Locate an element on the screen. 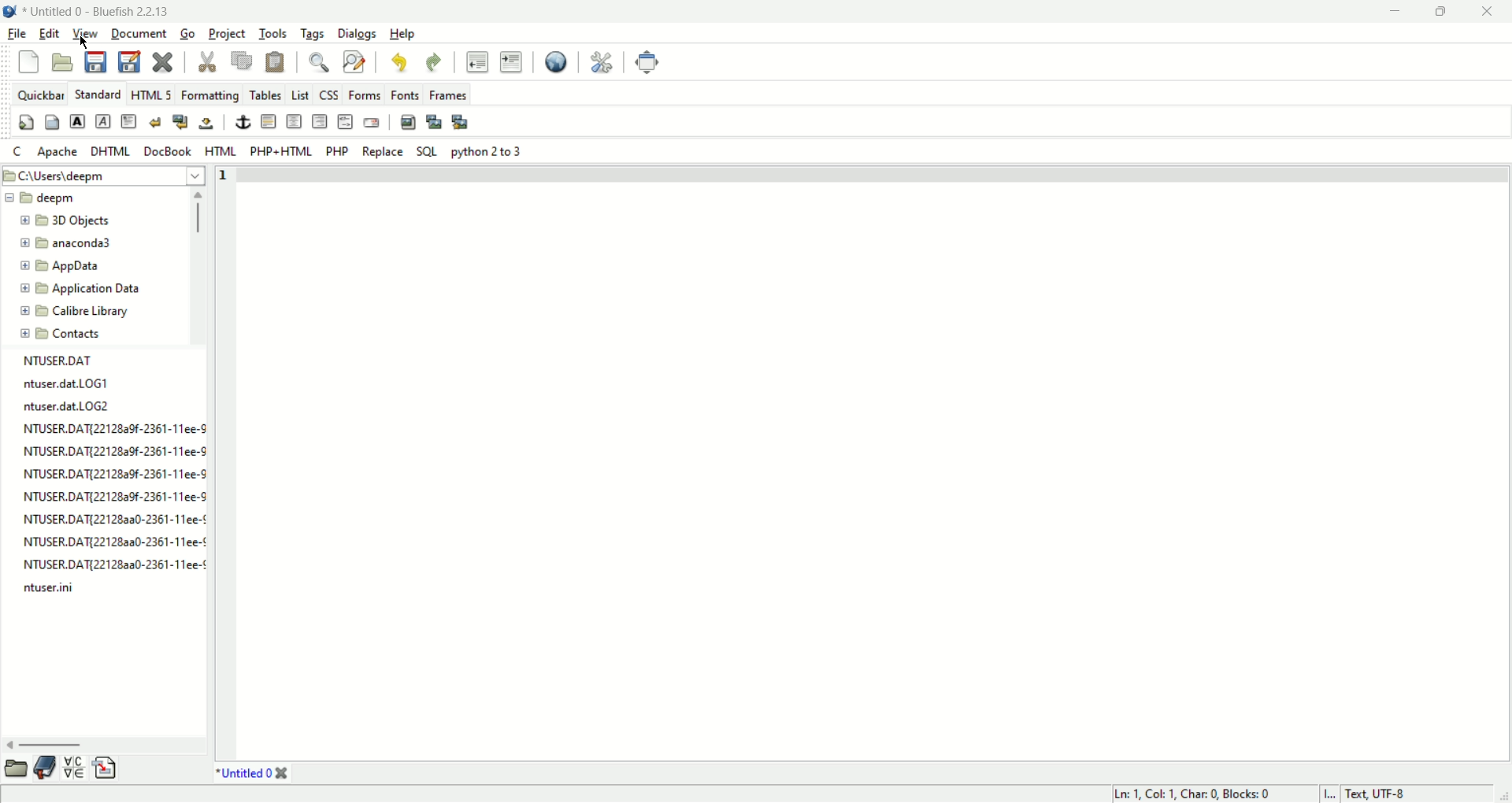 This screenshot has width=1512, height=803. tools is located at coordinates (272, 32).